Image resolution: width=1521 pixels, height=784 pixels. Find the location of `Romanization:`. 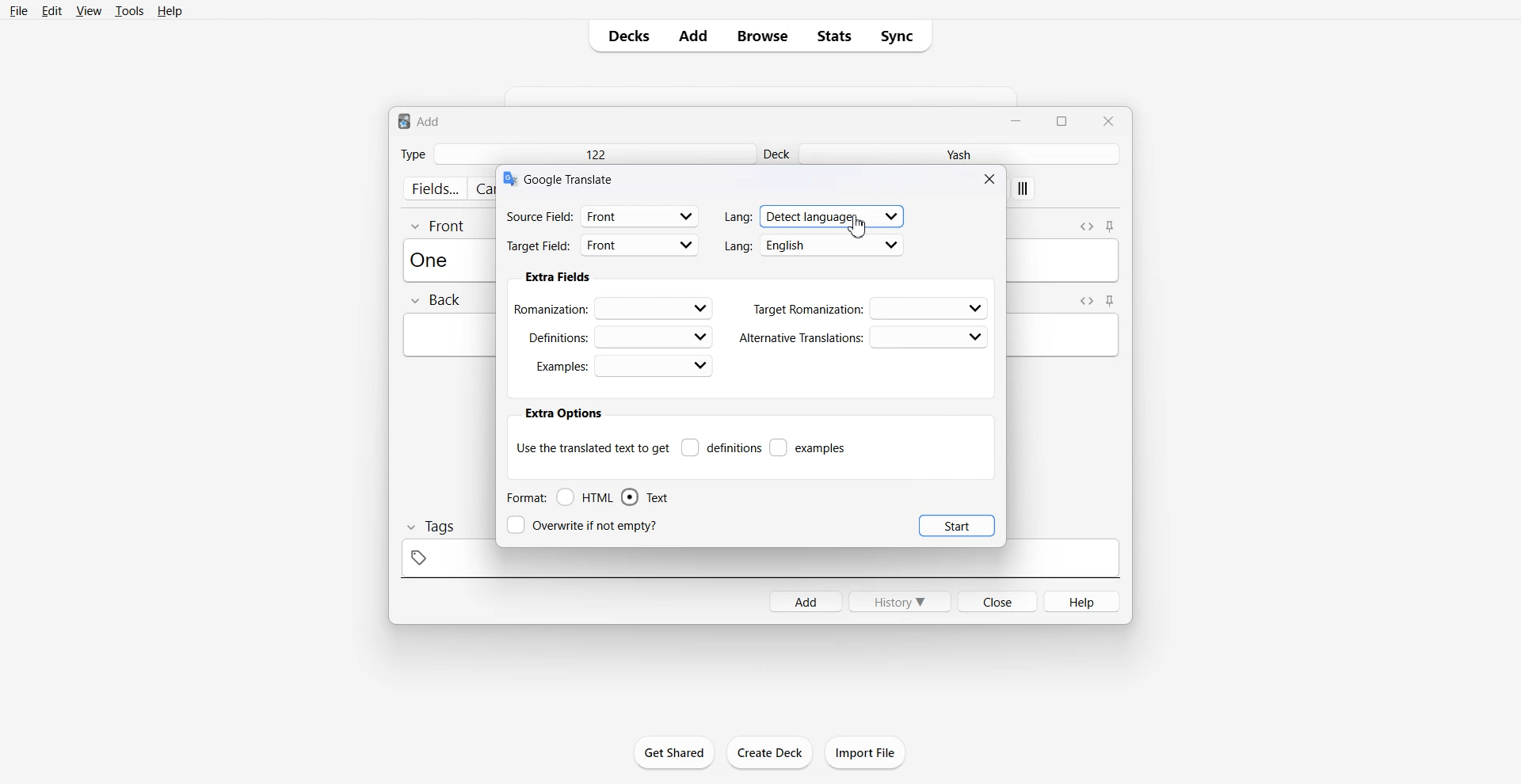

Romanization: is located at coordinates (616, 307).